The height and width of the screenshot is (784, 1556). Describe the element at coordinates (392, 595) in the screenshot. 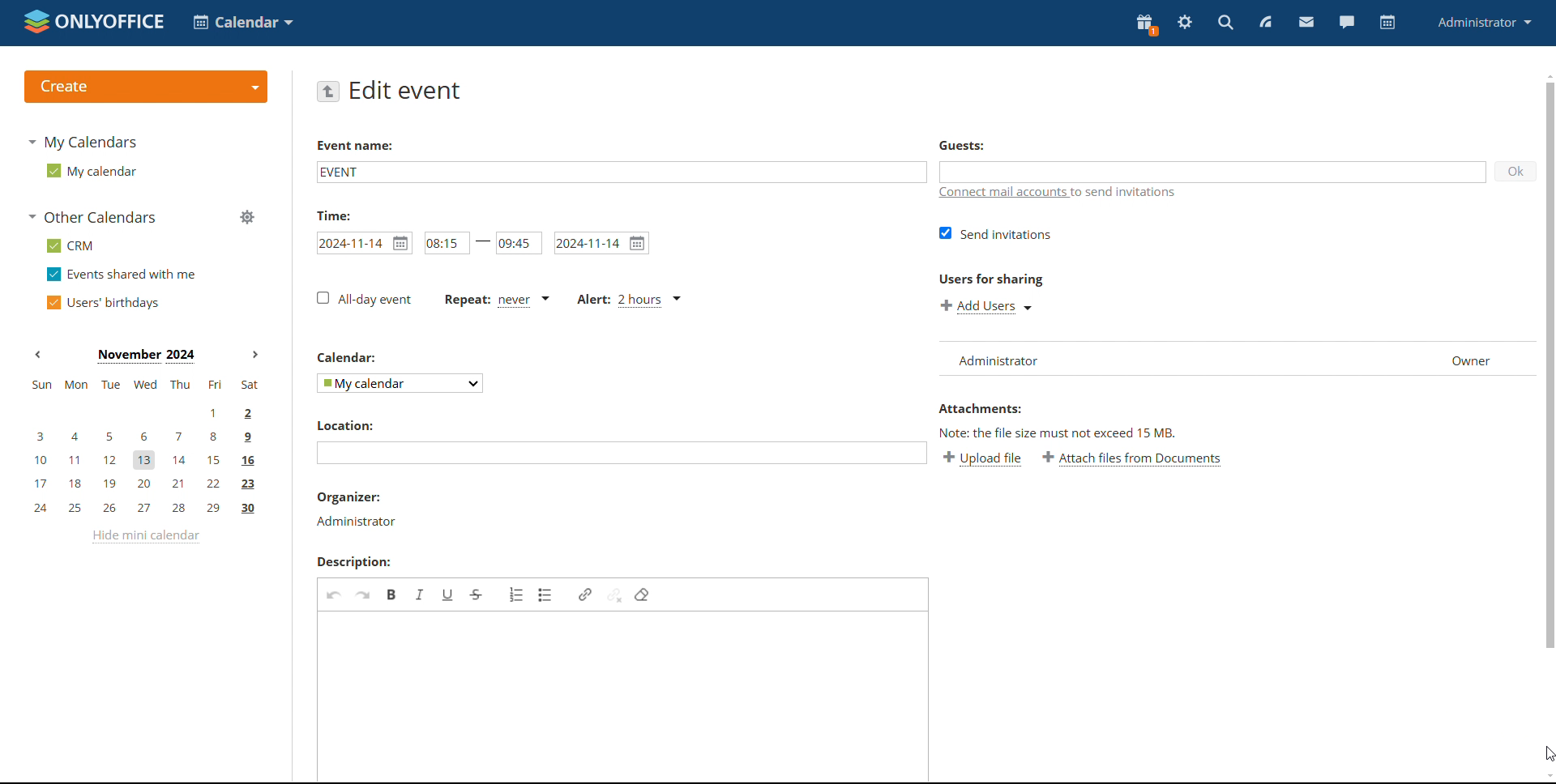

I see `bold` at that location.